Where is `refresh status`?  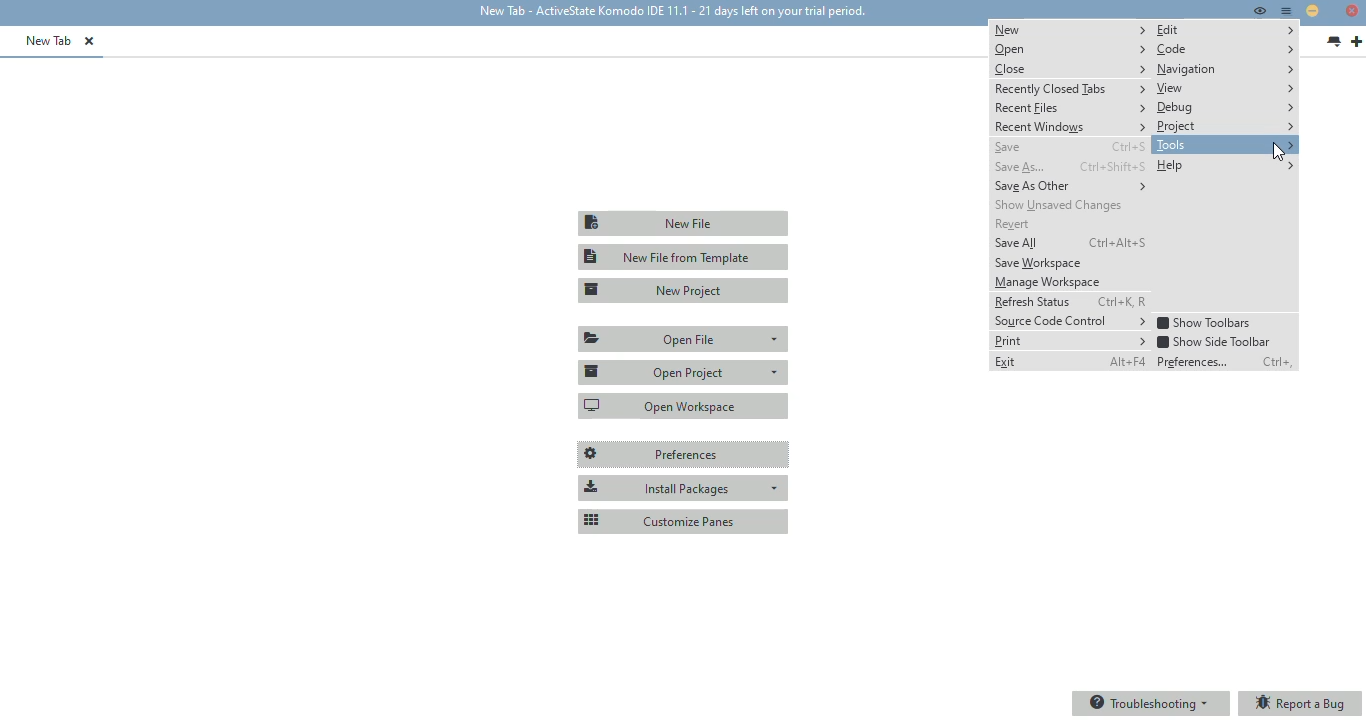
refresh status is located at coordinates (1031, 301).